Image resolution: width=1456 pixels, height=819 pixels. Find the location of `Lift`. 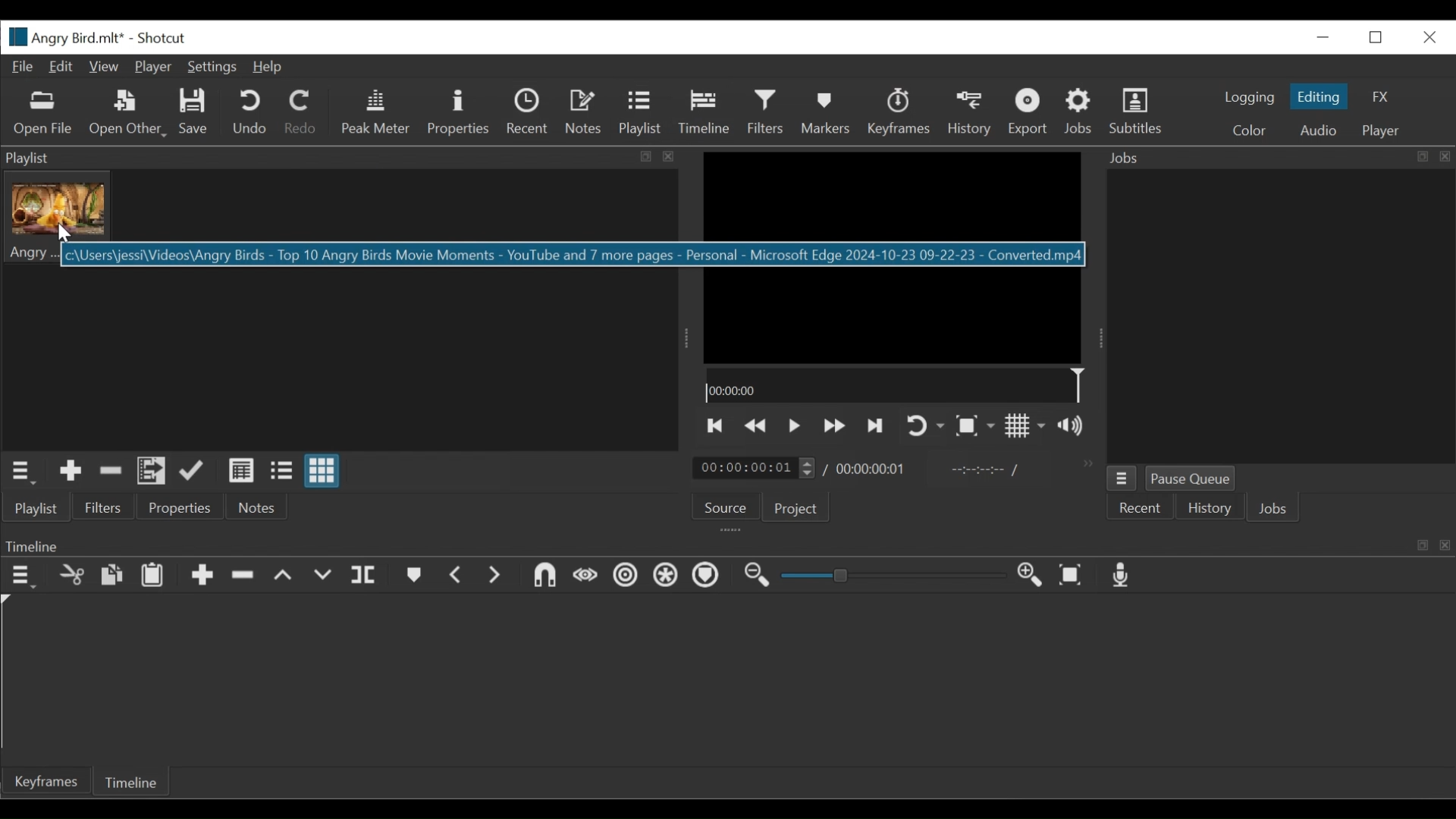

Lift is located at coordinates (286, 575).